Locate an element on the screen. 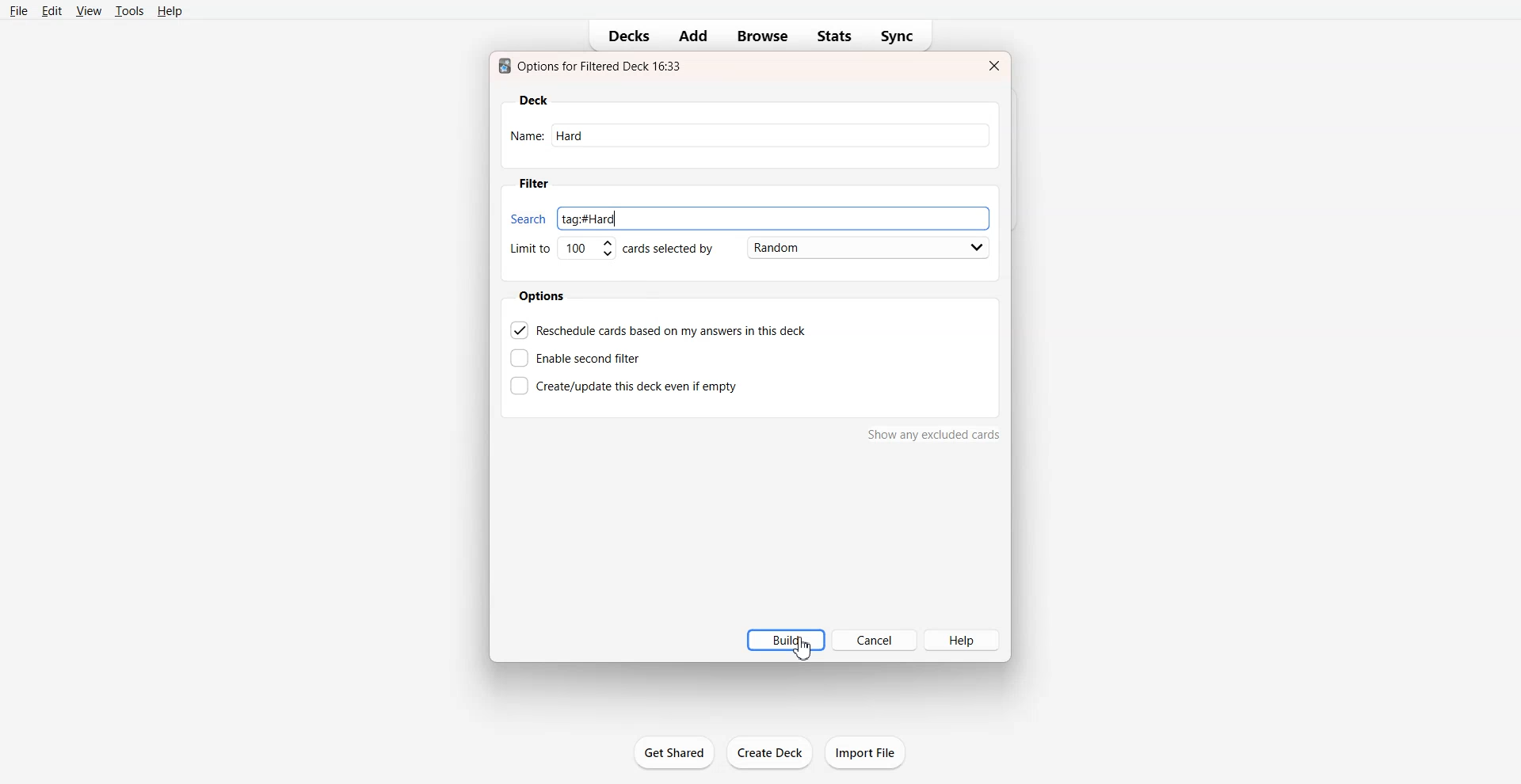  Card Selected by Random is located at coordinates (810, 247).